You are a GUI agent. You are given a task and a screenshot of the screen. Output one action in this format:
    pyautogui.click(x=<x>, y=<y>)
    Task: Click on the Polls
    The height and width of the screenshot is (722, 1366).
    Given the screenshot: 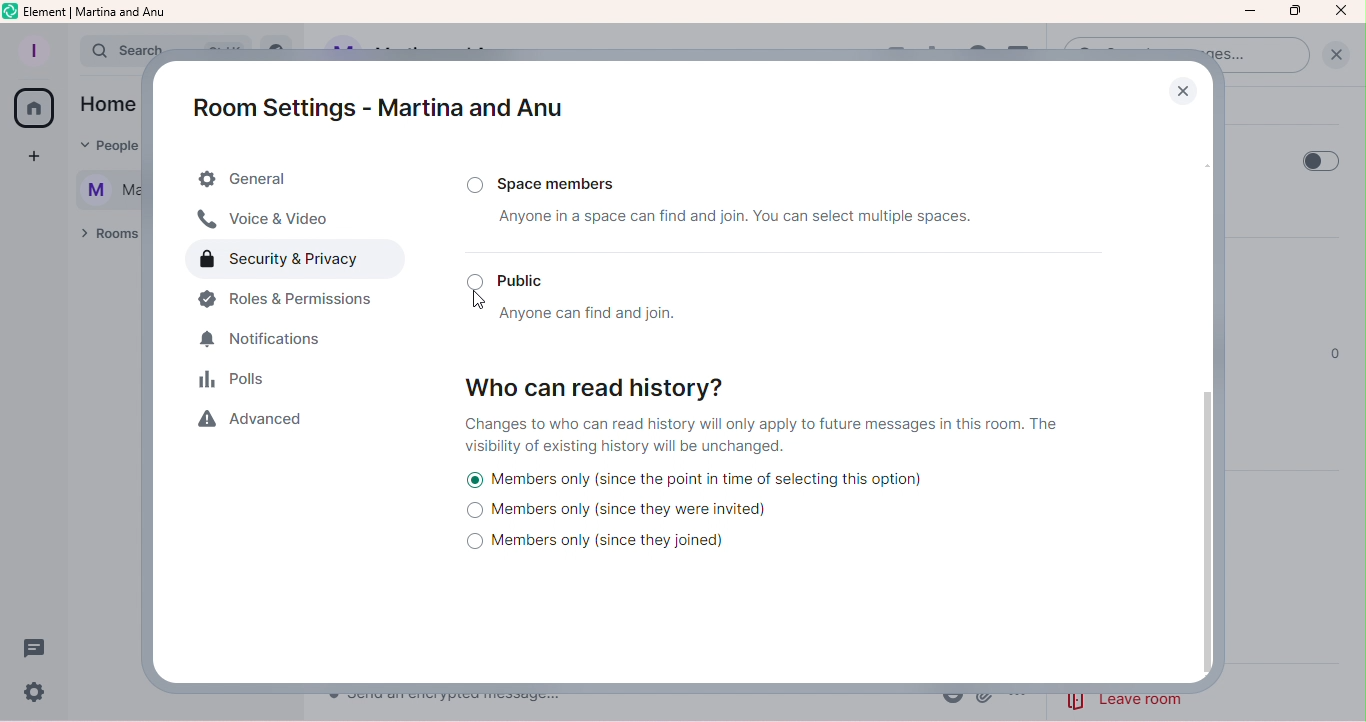 What is the action you would take?
    pyautogui.click(x=243, y=381)
    